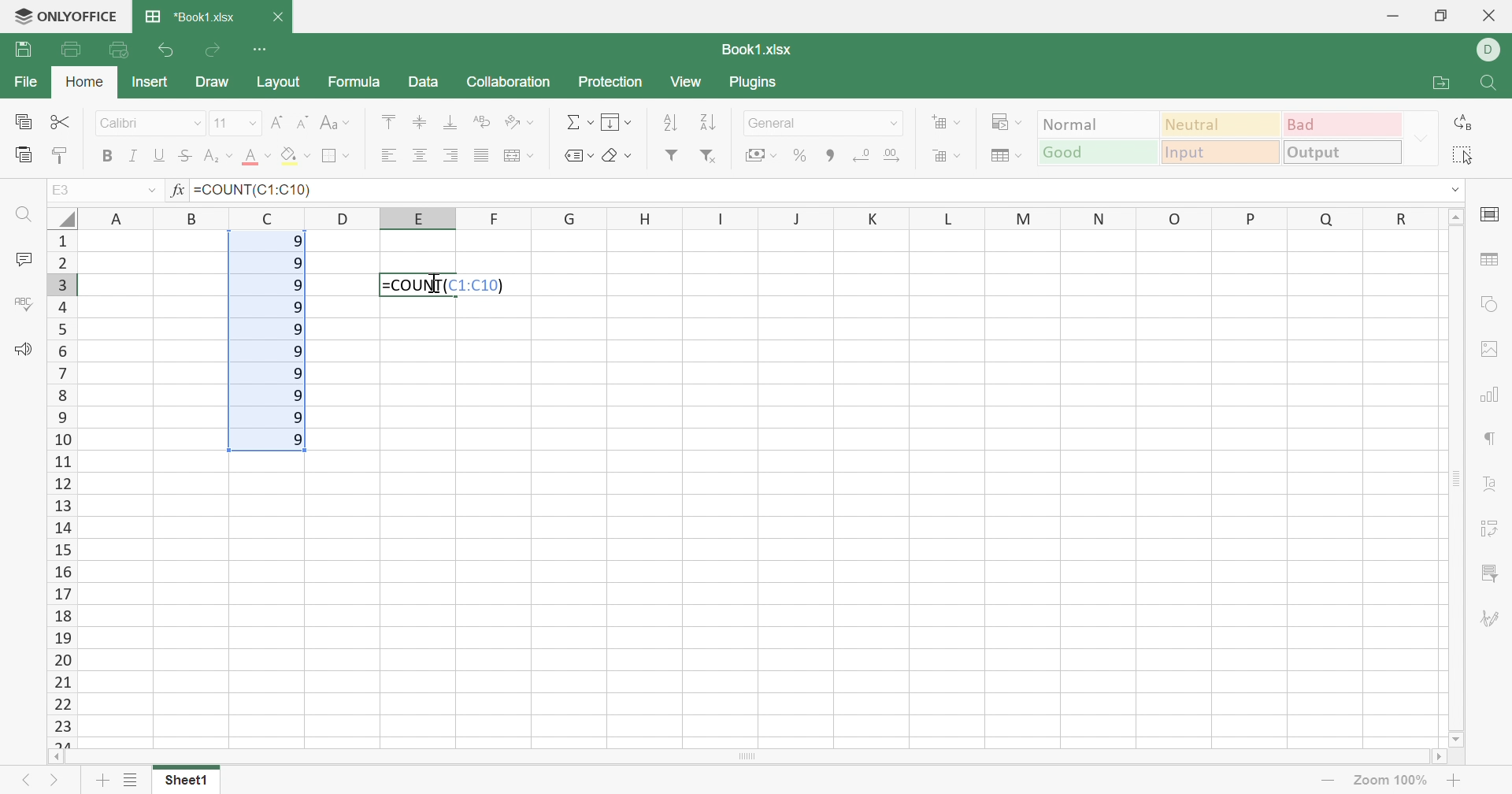  What do you see at coordinates (1491, 15) in the screenshot?
I see `Close` at bounding box center [1491, 15].